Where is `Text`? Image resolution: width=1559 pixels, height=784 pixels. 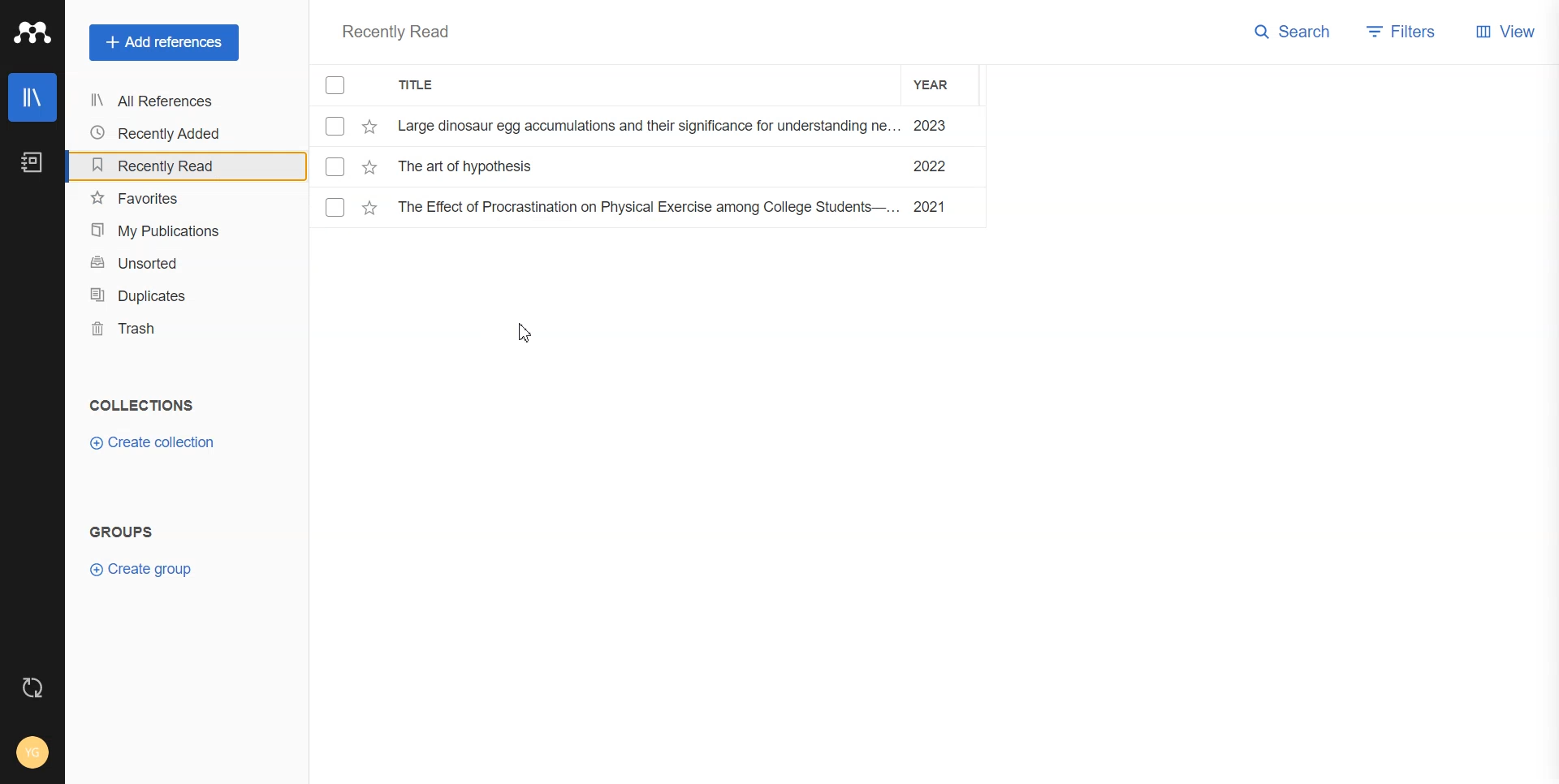
Text is located at coordinates (123, 533).